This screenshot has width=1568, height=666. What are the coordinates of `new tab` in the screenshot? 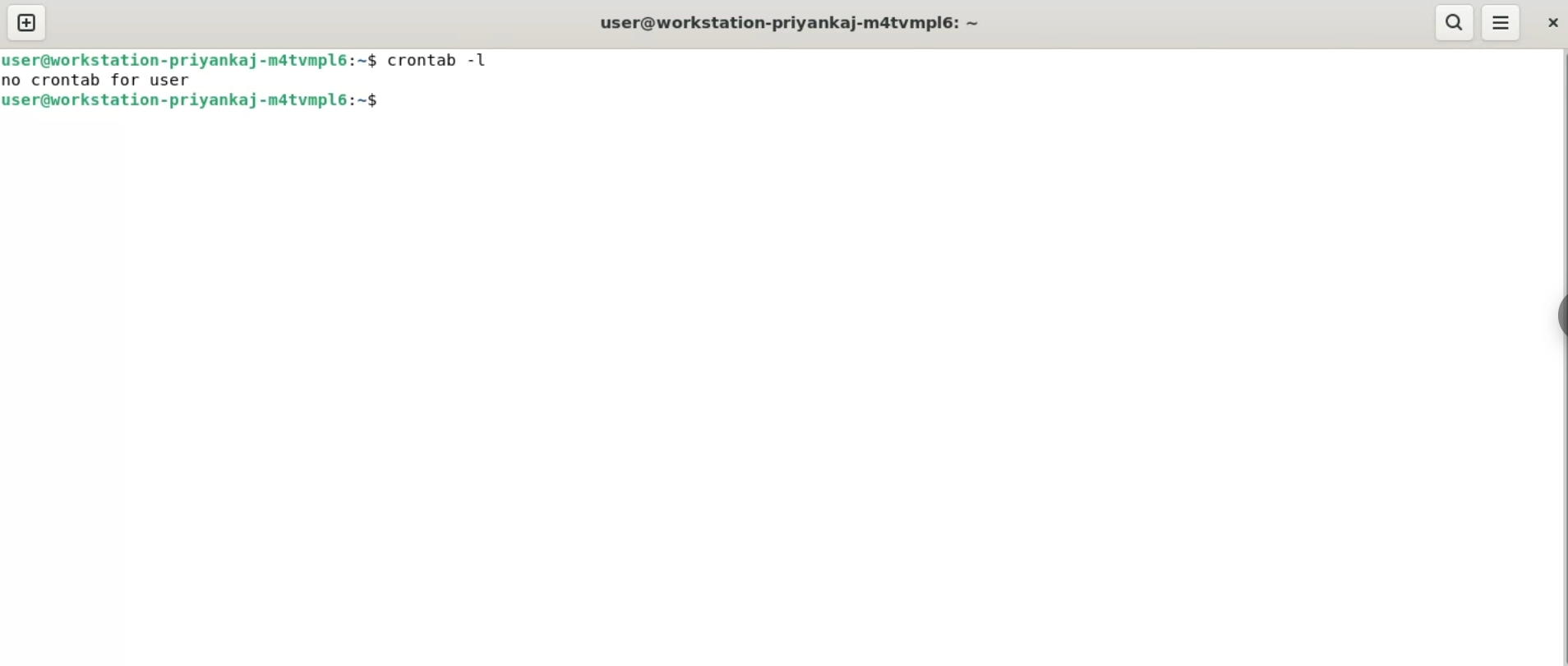 It's located at (26, 22).